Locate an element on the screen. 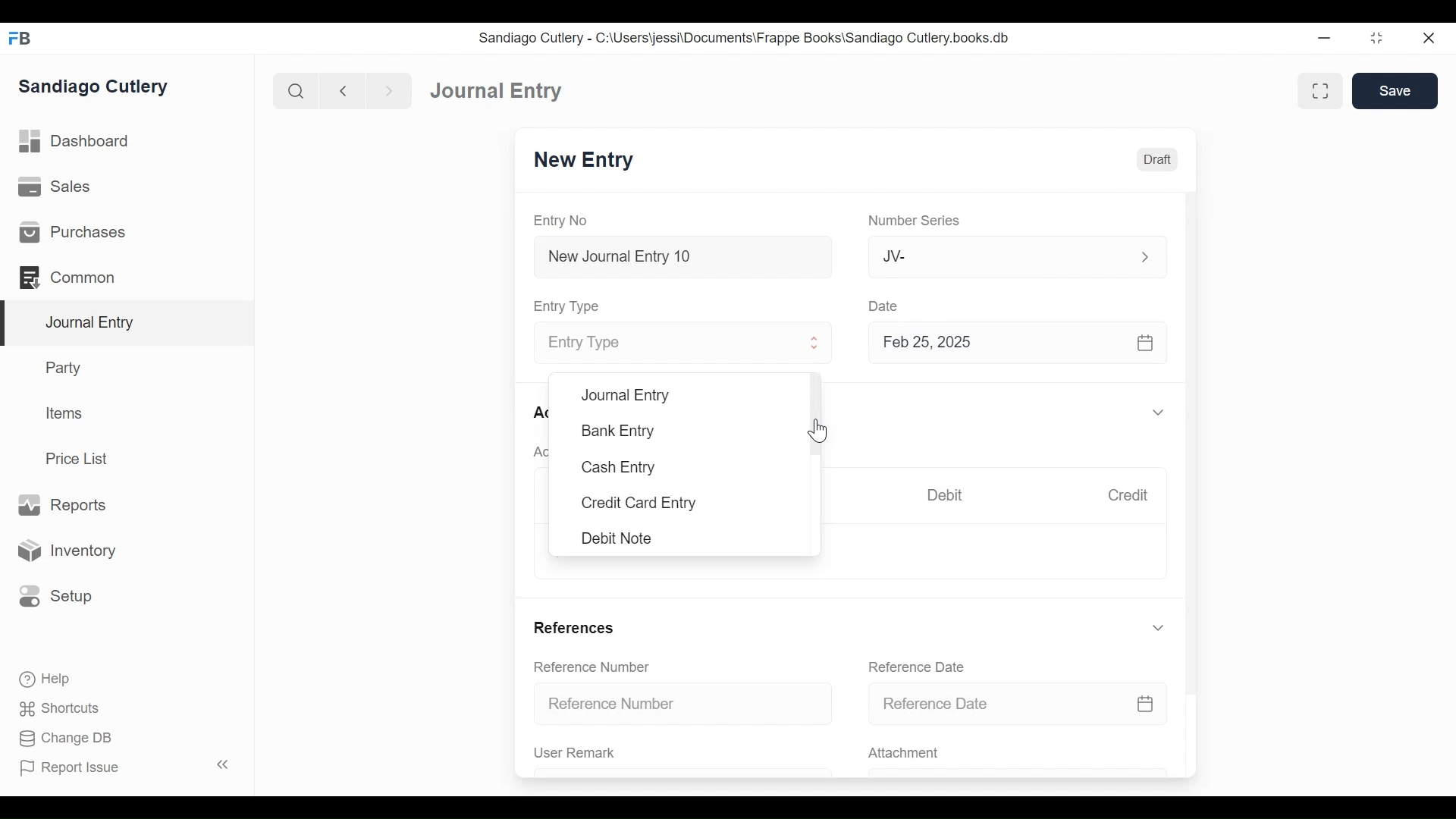 Image resolution: width=1456 pixels, height=819 pixels. Debit is located at coordinates (949, 495).